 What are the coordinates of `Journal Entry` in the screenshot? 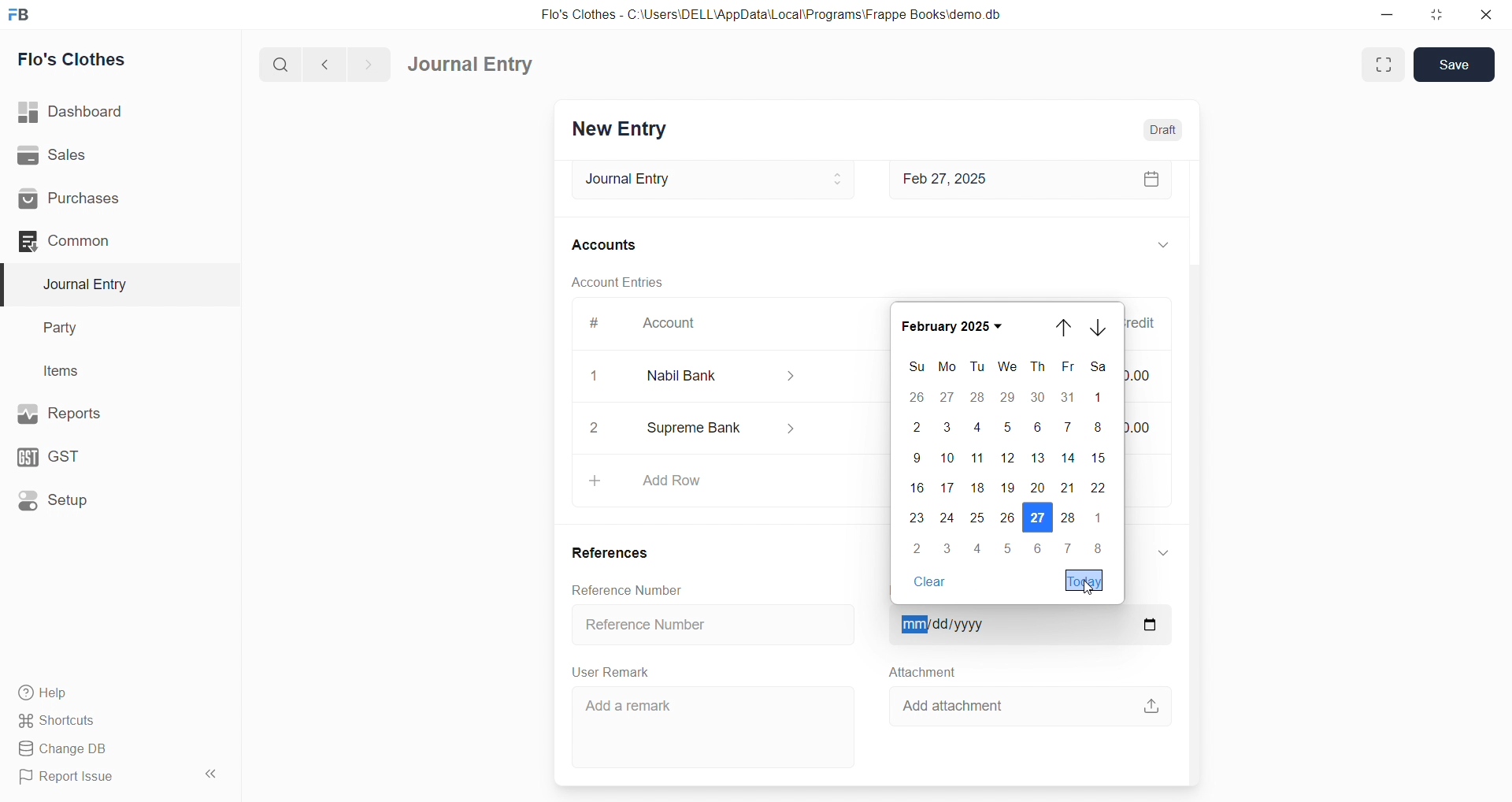 It's located at (90, 284).